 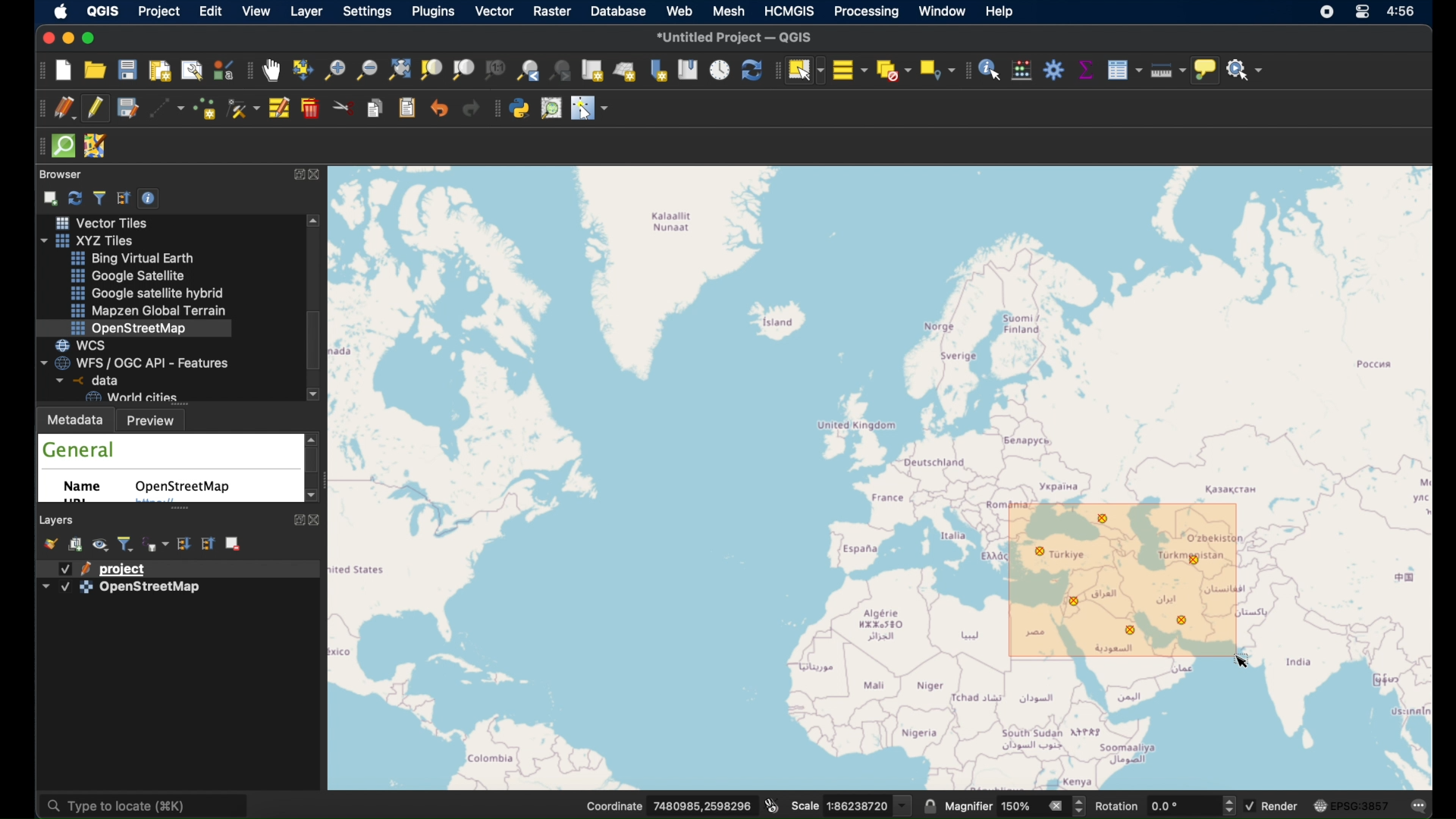 What do you see at coordinates (626, 71) in the screenshot?
I see `new 3d map view` at bounding box center [626, 71].